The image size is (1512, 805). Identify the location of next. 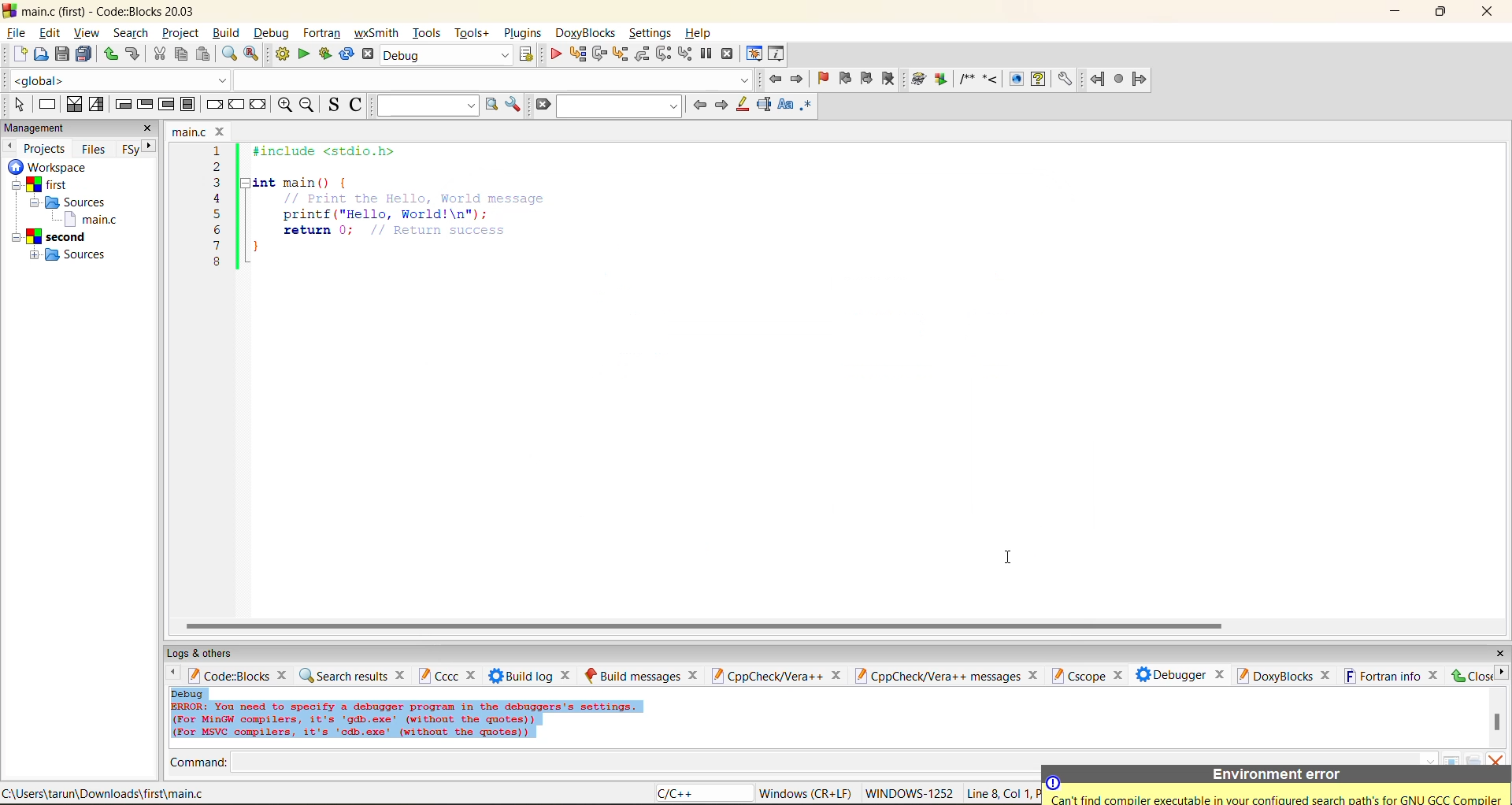
(1501, 672).